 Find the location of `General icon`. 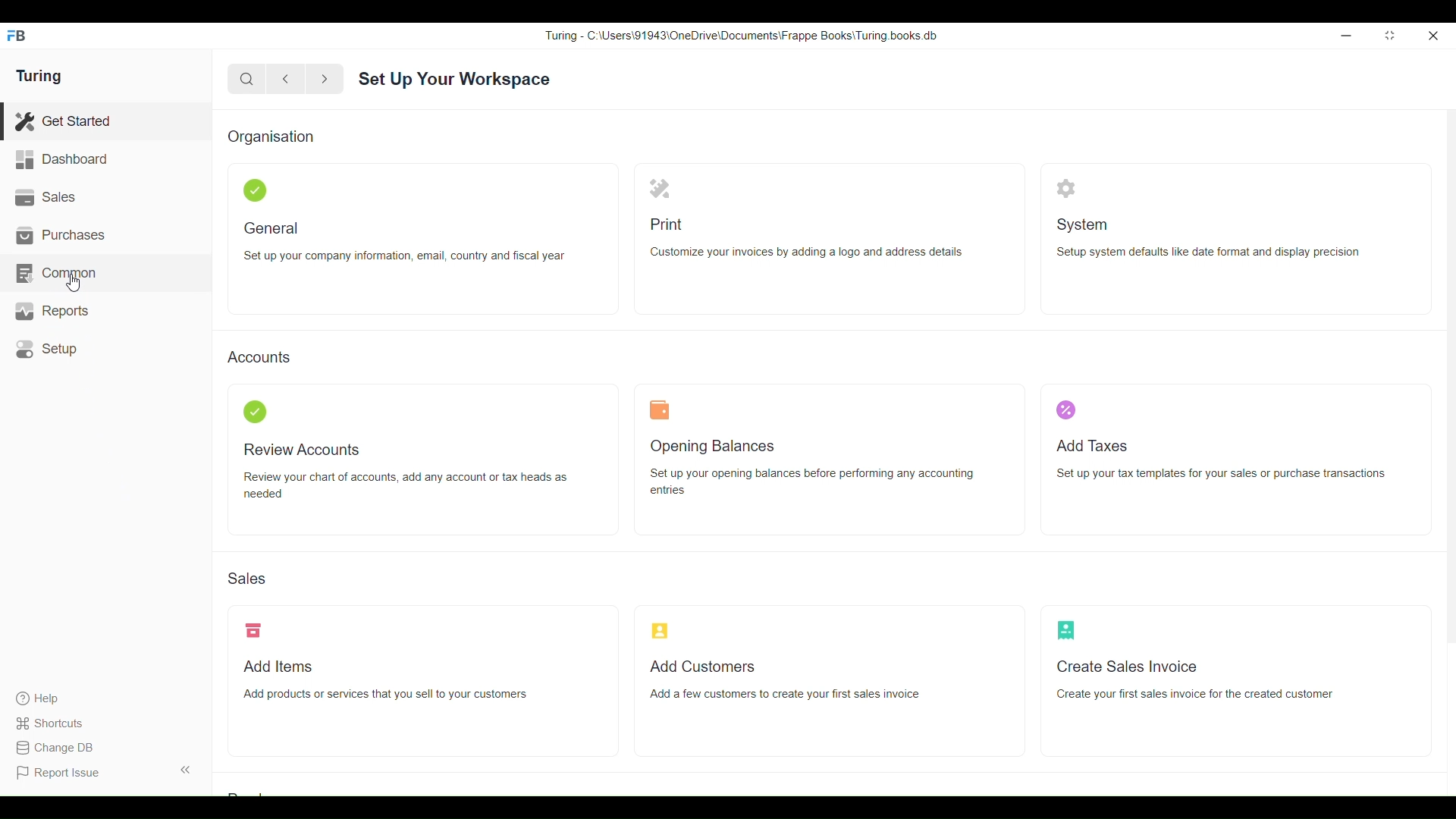

General icon is located at coordinates (255, 190).